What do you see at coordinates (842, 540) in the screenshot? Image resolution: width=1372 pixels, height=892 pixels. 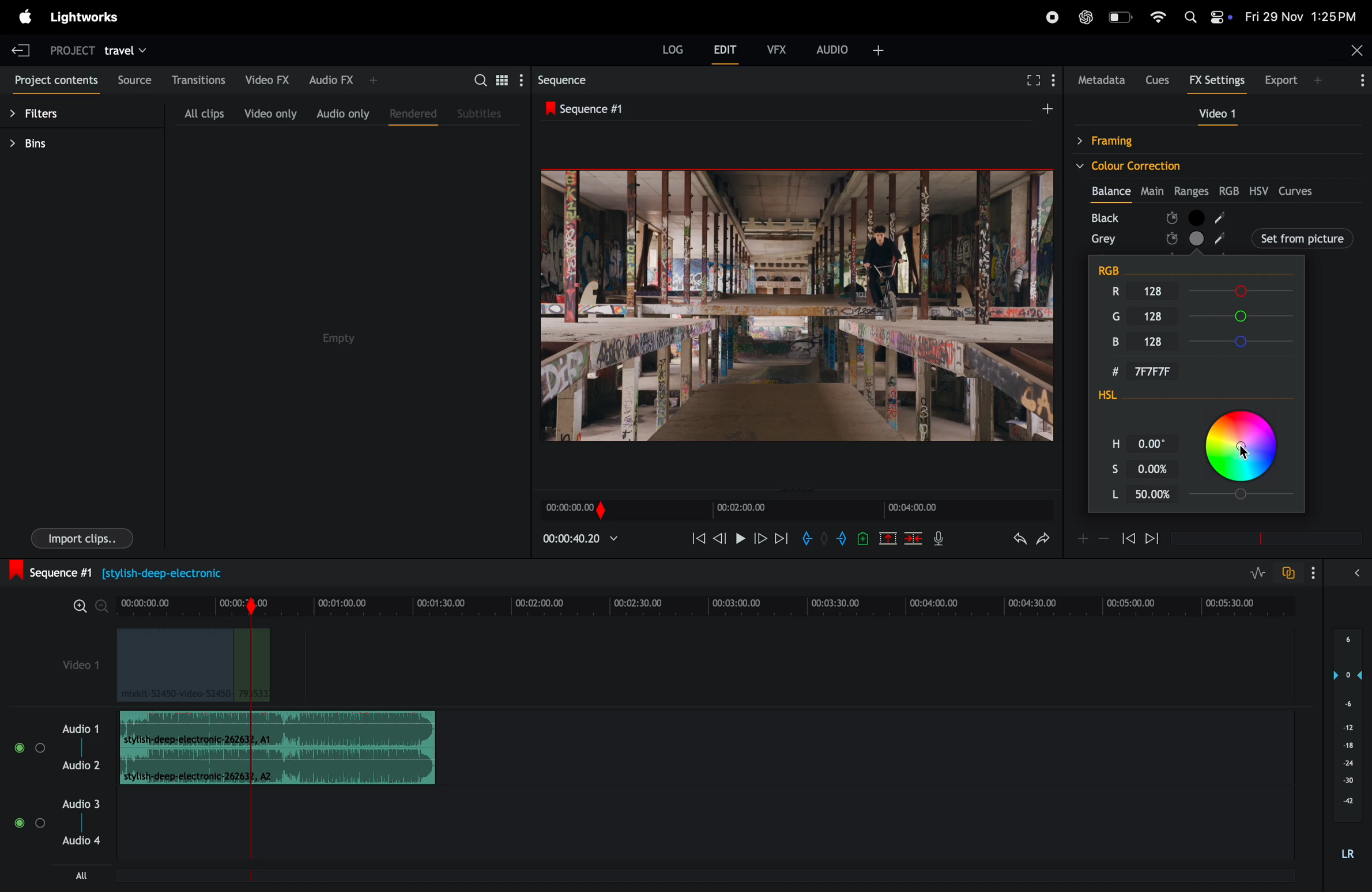 I see `add out mark to current position` at bounding box center [842, 540].